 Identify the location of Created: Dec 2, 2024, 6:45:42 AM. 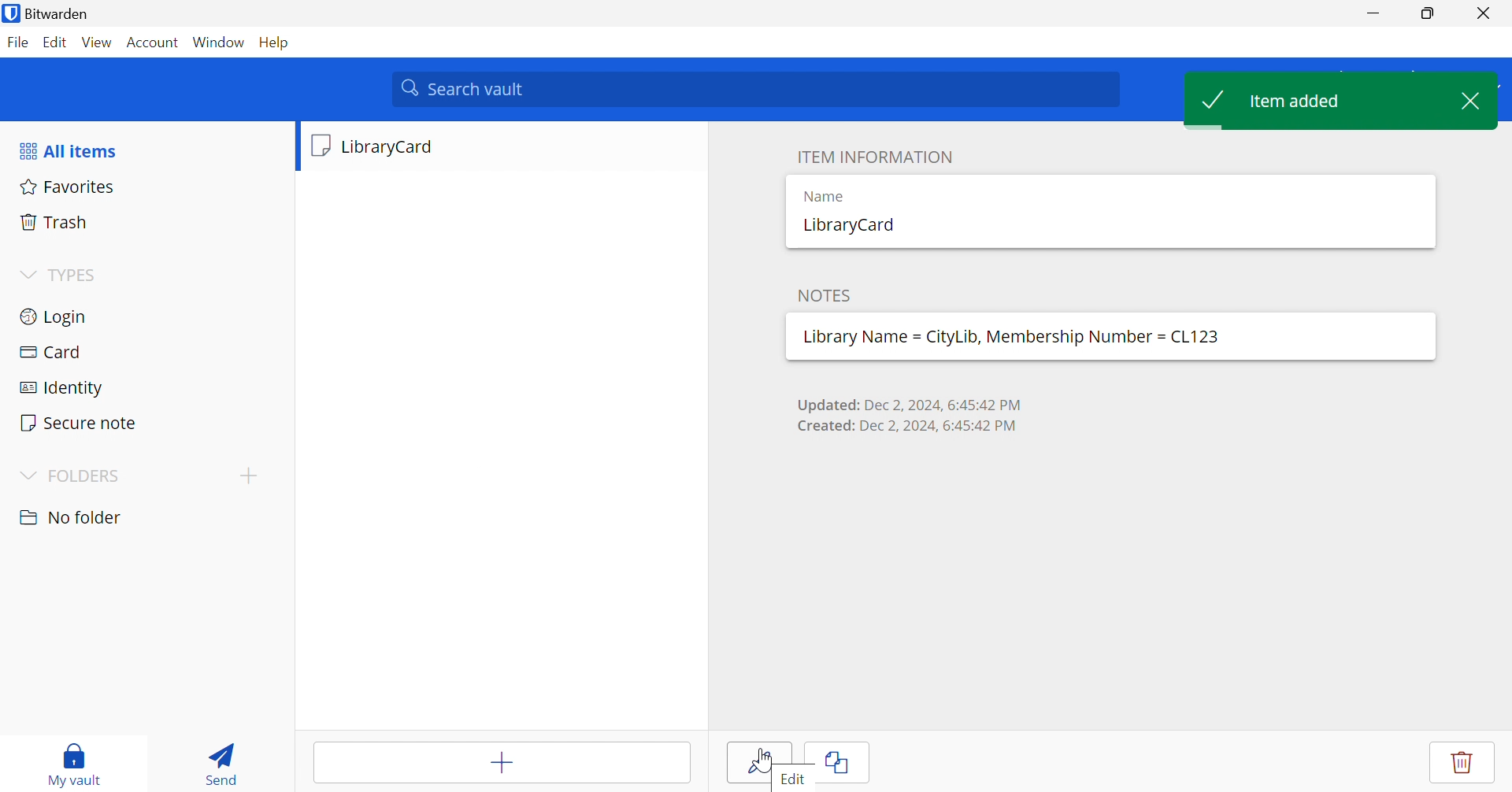
(911, 427).